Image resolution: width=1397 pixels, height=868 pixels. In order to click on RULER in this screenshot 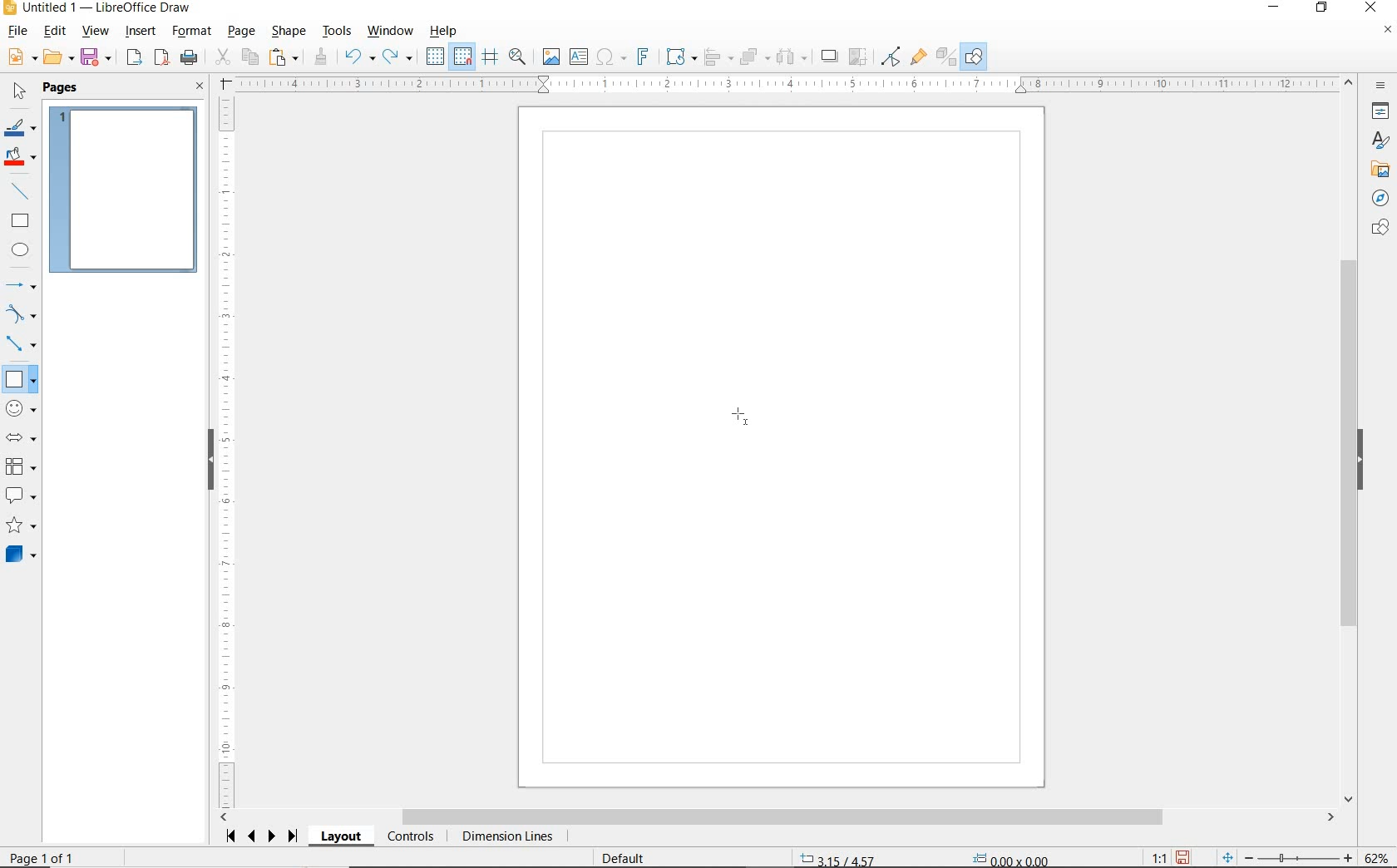, I will do `click(227, 452)`.